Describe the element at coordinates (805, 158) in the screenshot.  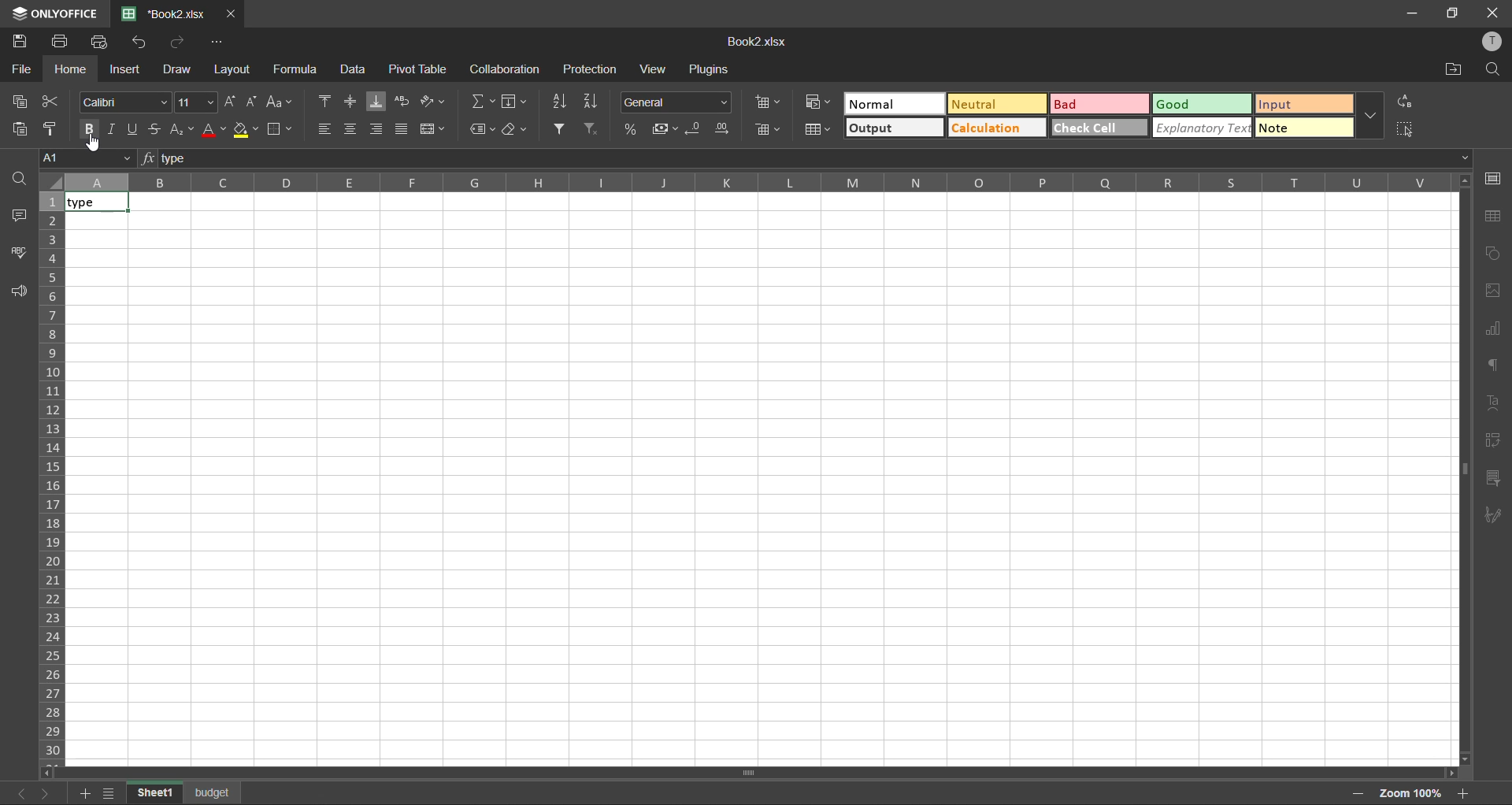
I see `formula bar` at that location.